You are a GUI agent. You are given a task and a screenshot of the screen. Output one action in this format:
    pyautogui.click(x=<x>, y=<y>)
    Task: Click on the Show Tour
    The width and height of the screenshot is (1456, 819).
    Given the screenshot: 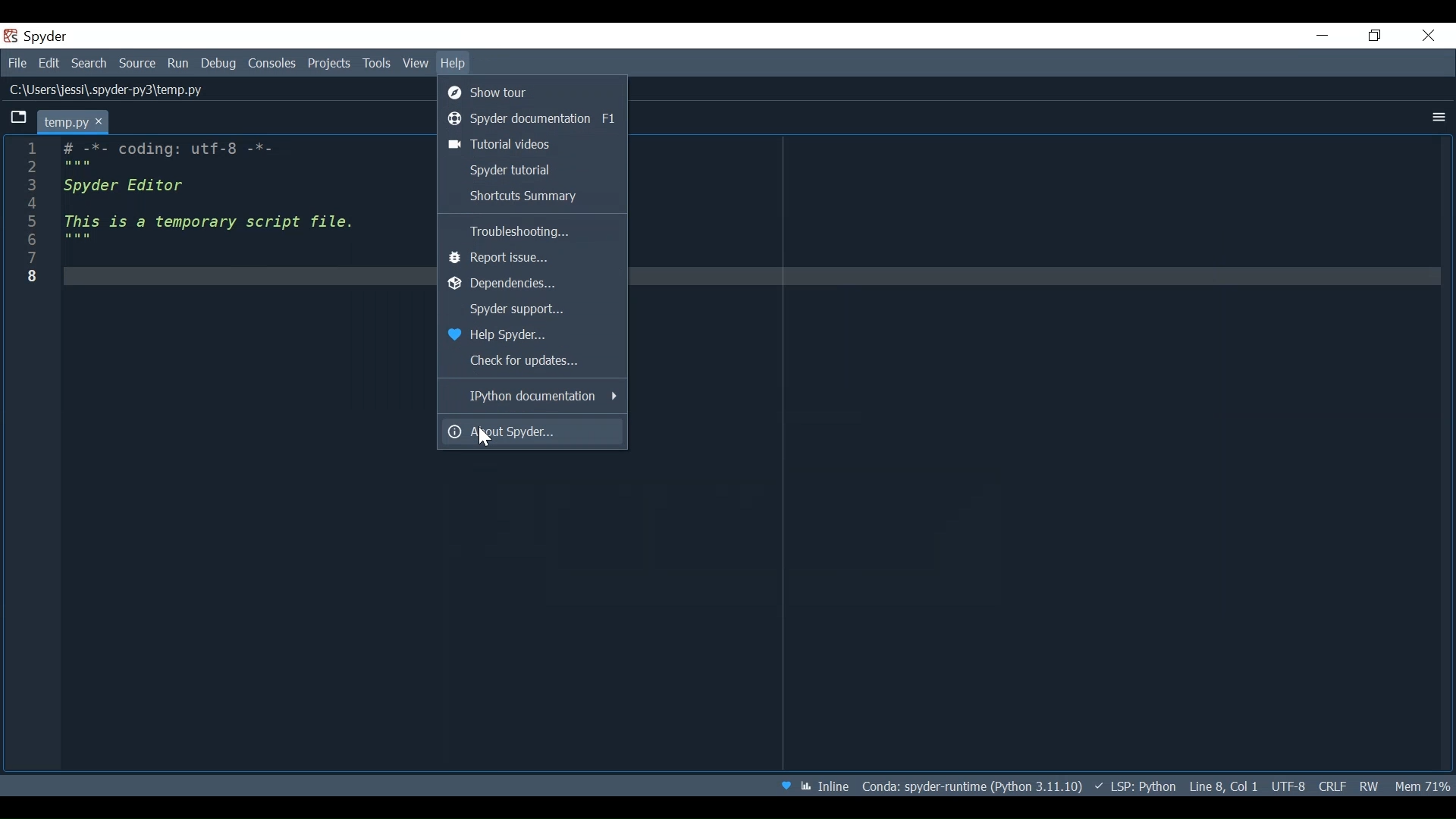 What is the action you would take?
    pyautogui.click(x=529, y=91)
    